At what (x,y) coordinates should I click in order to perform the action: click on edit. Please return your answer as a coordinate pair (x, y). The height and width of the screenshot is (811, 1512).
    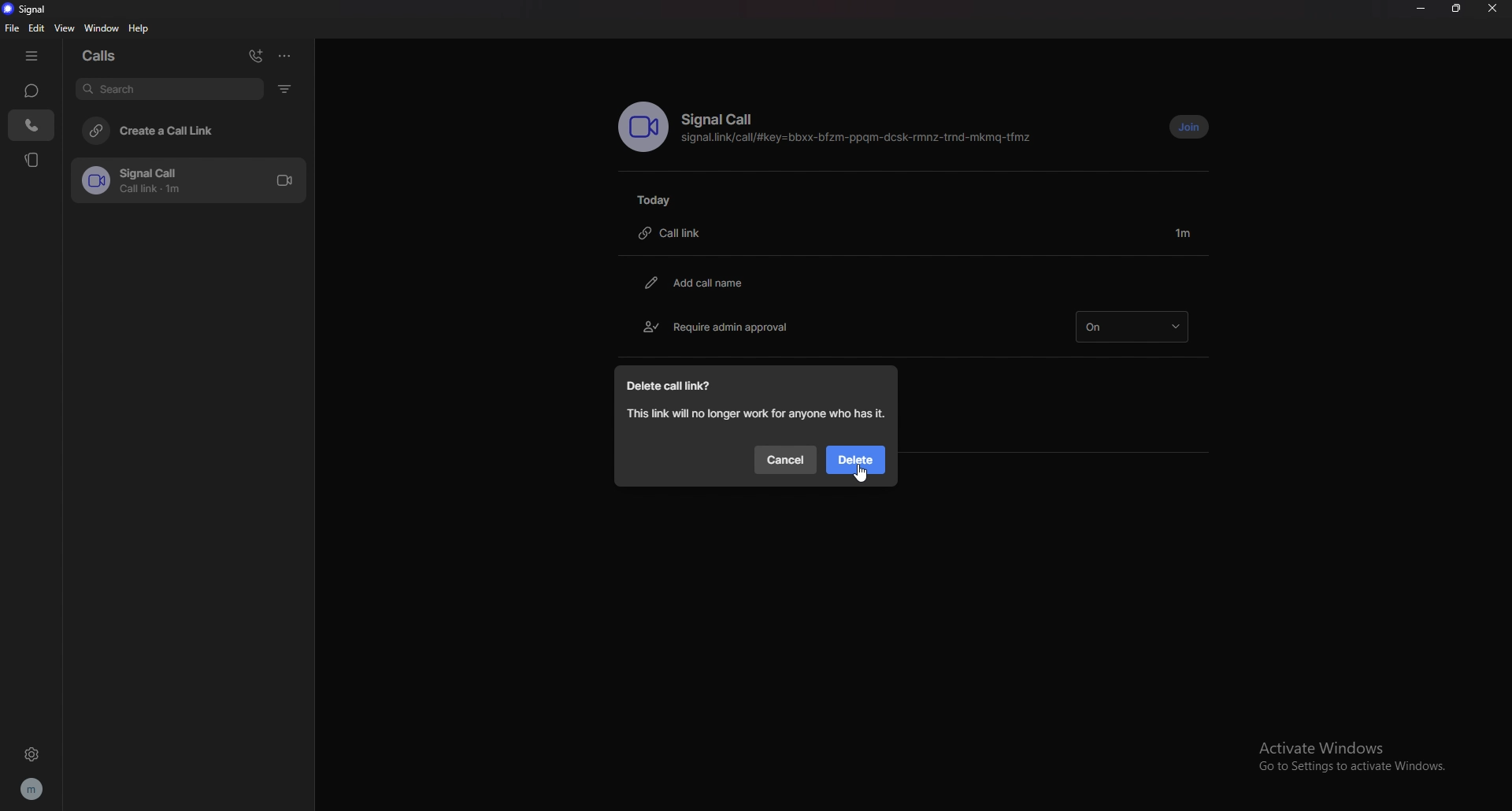
    Looking at the image, I should click on (37, 28).